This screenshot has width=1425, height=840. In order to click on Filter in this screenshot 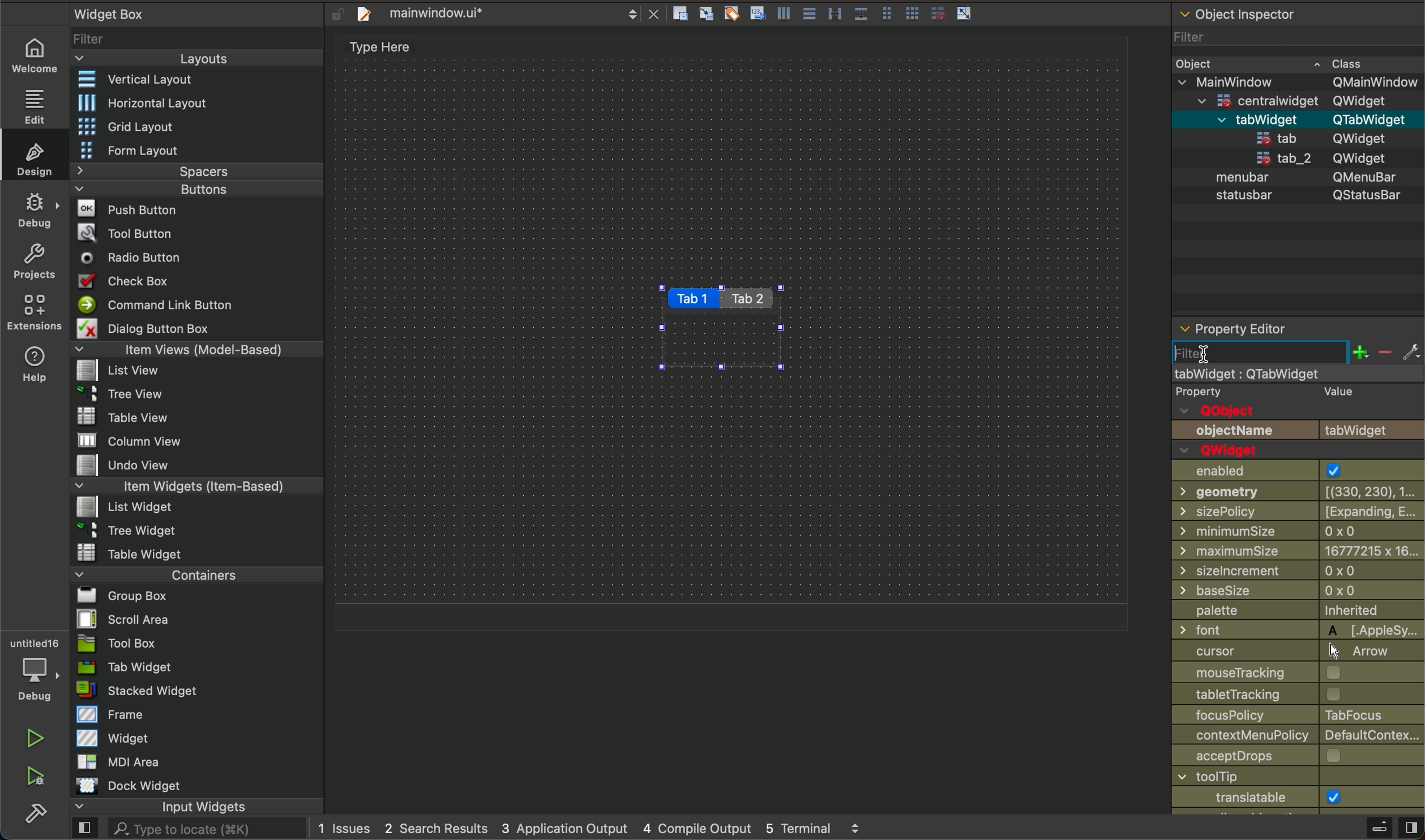, I will do `click(93, 37)`.